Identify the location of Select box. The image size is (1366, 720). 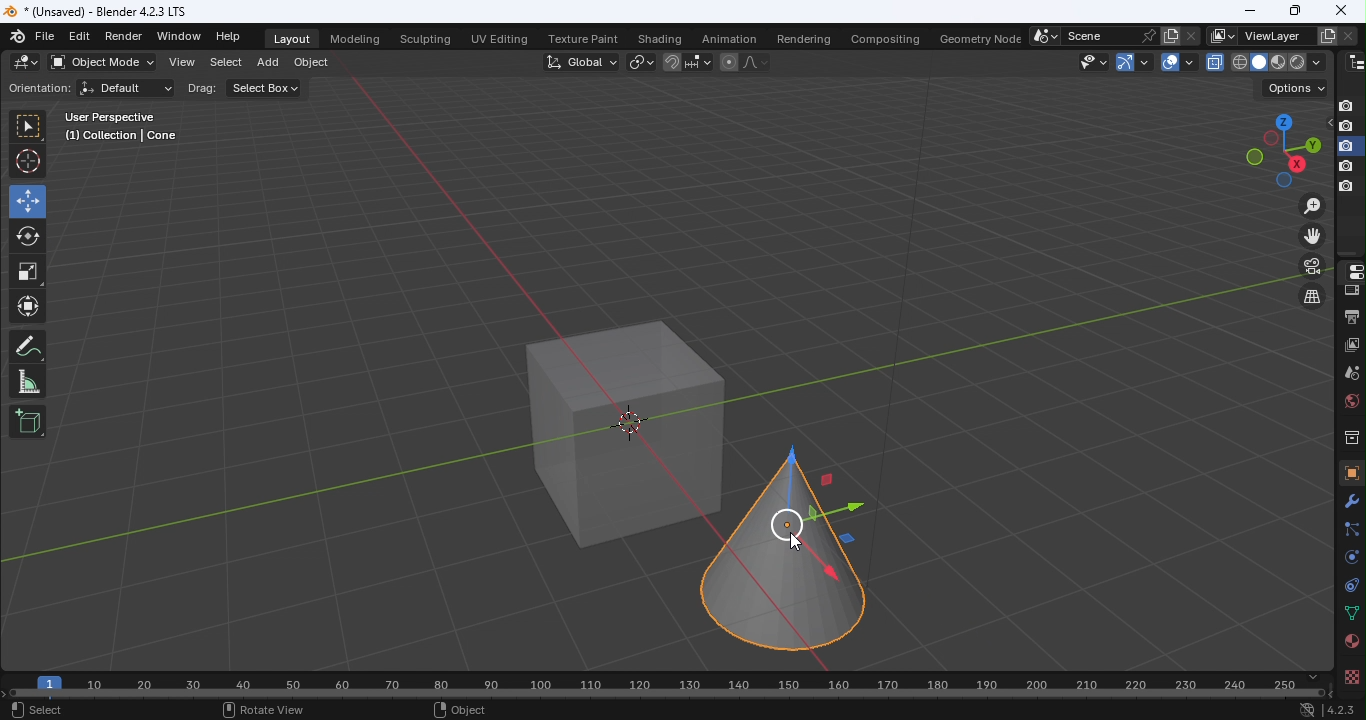
(27, 127).